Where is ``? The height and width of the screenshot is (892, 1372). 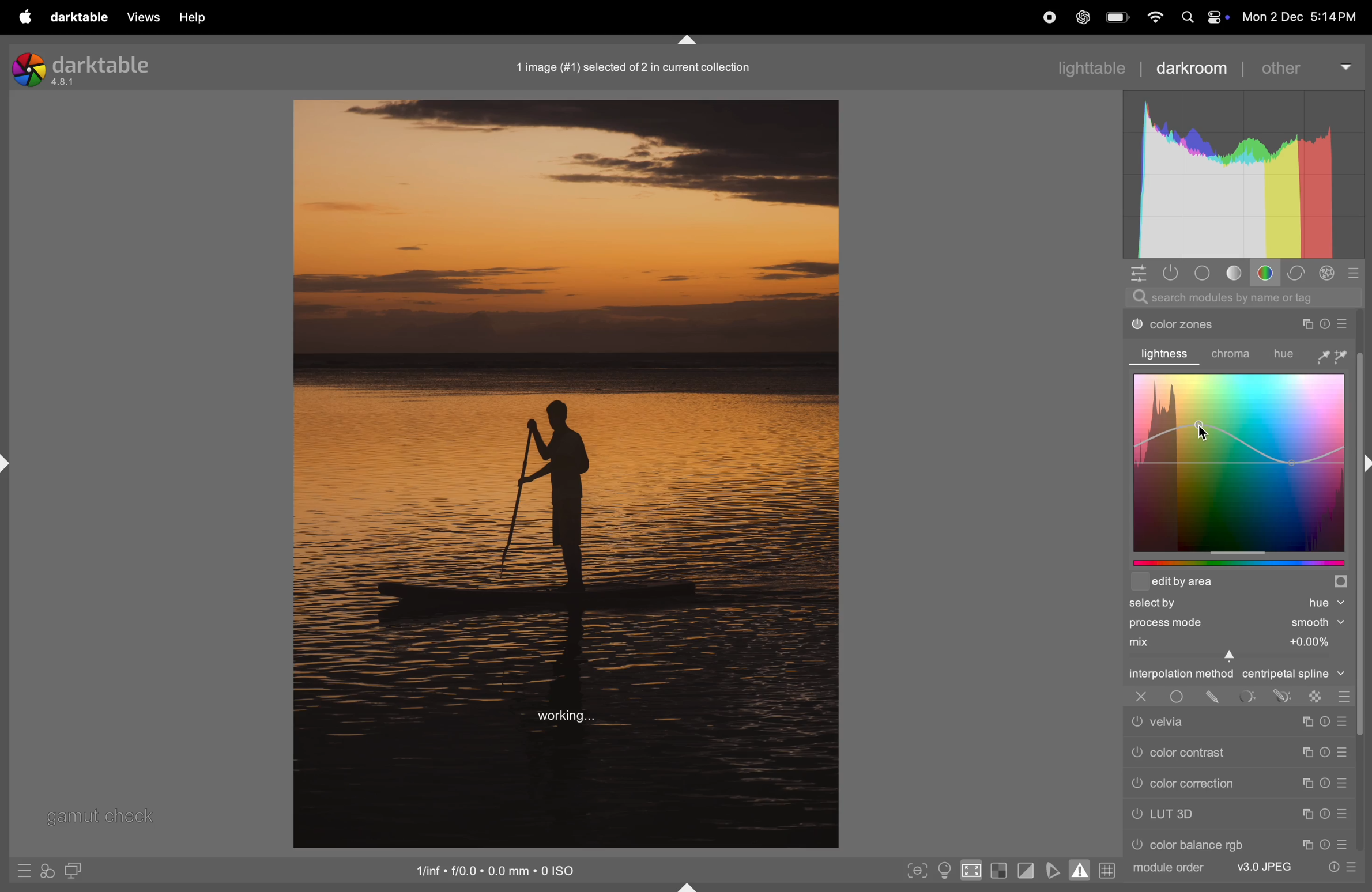
 is located at coordinates (1201, 273).